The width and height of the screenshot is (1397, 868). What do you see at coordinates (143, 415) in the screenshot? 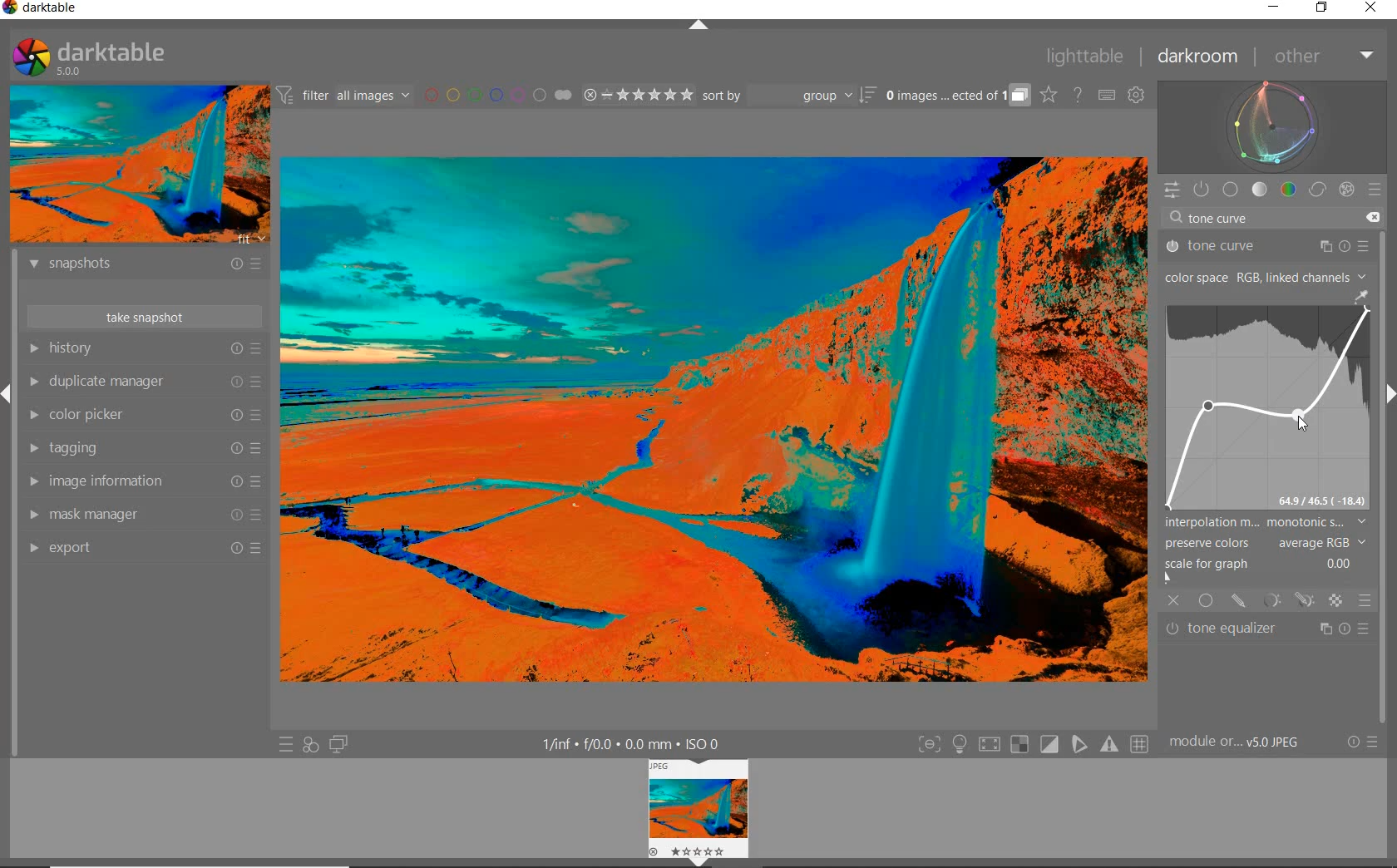
I see `color picker` at bounding box center [143, 415].